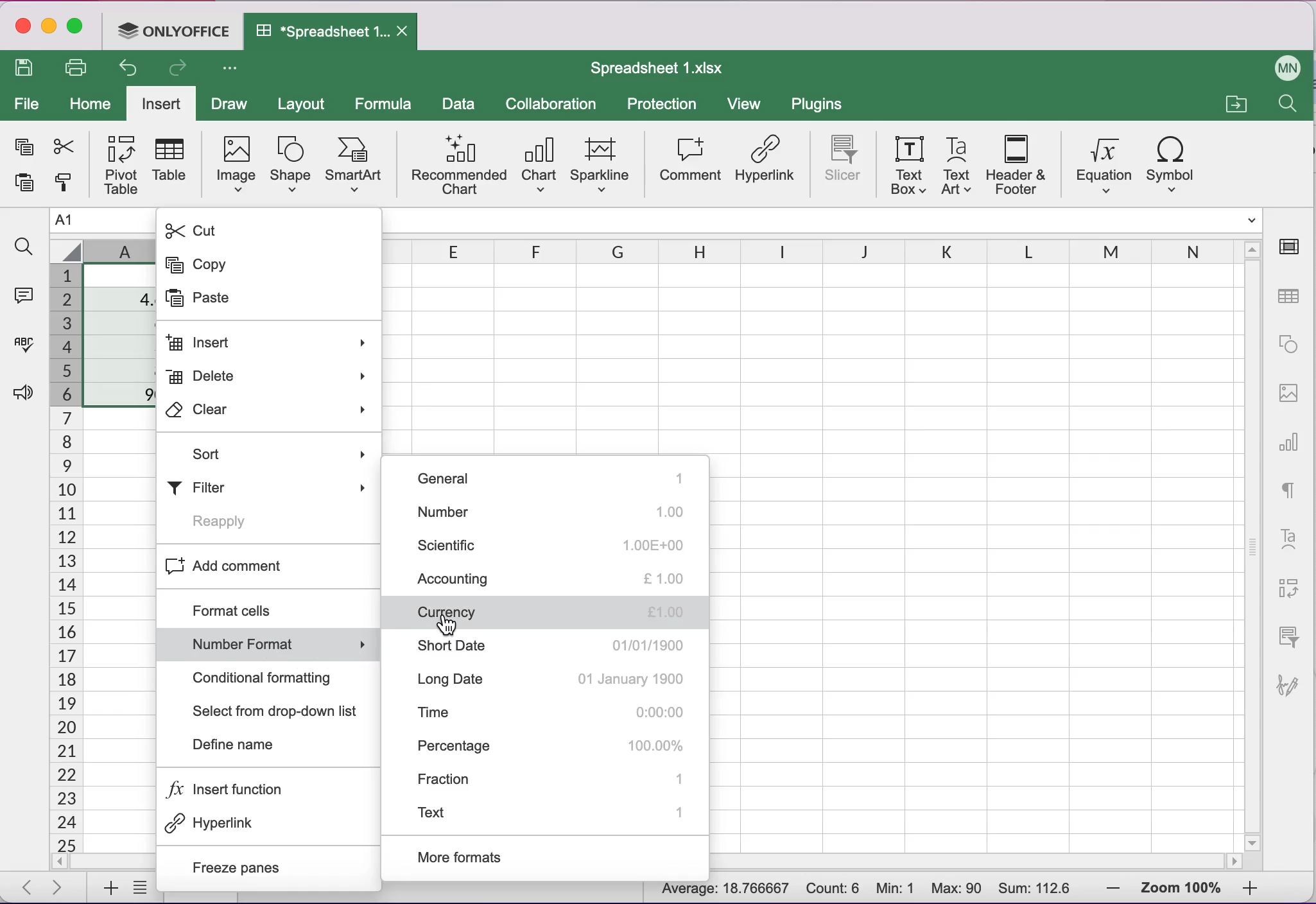 This screenshot has width=1316, height=904. Describe the element at coordinates (22, 345) in the screenshot. I see `spell checking` at that location.